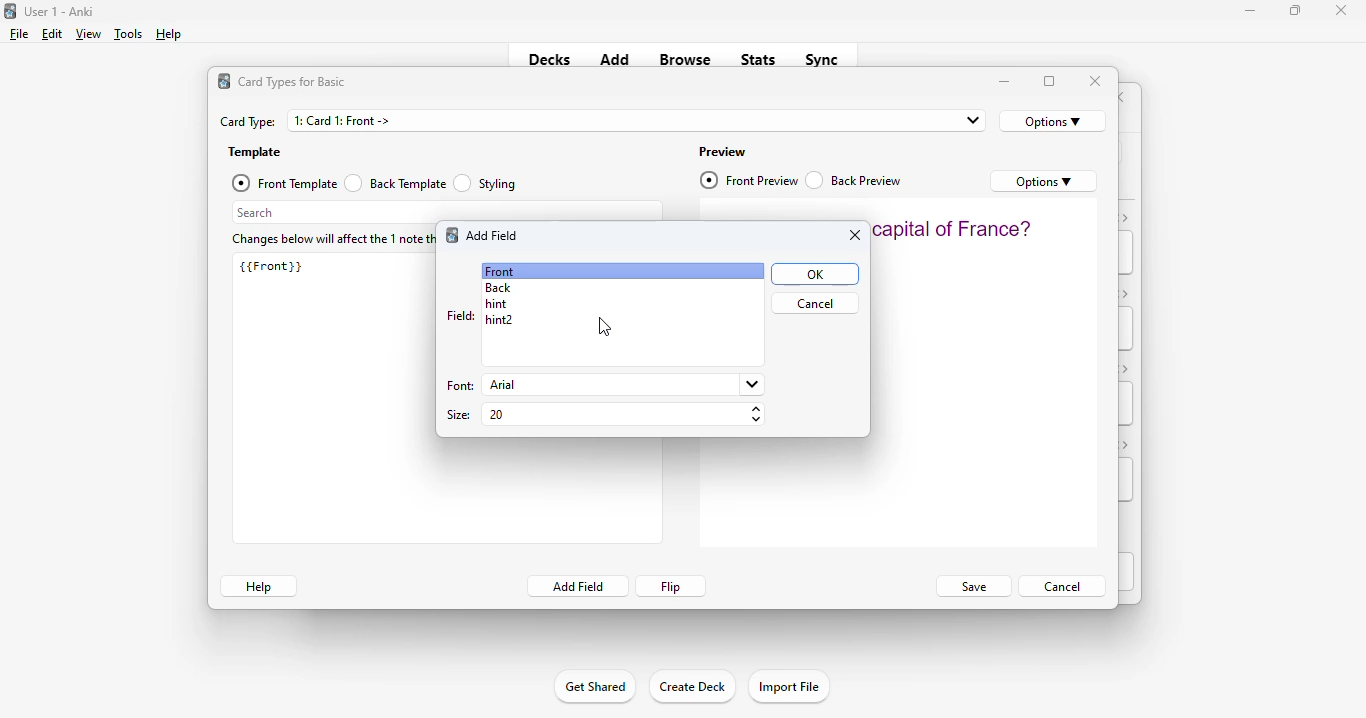 The width and height of the screenshot is (1366, 718). I want to click on view, so click(88, 33).